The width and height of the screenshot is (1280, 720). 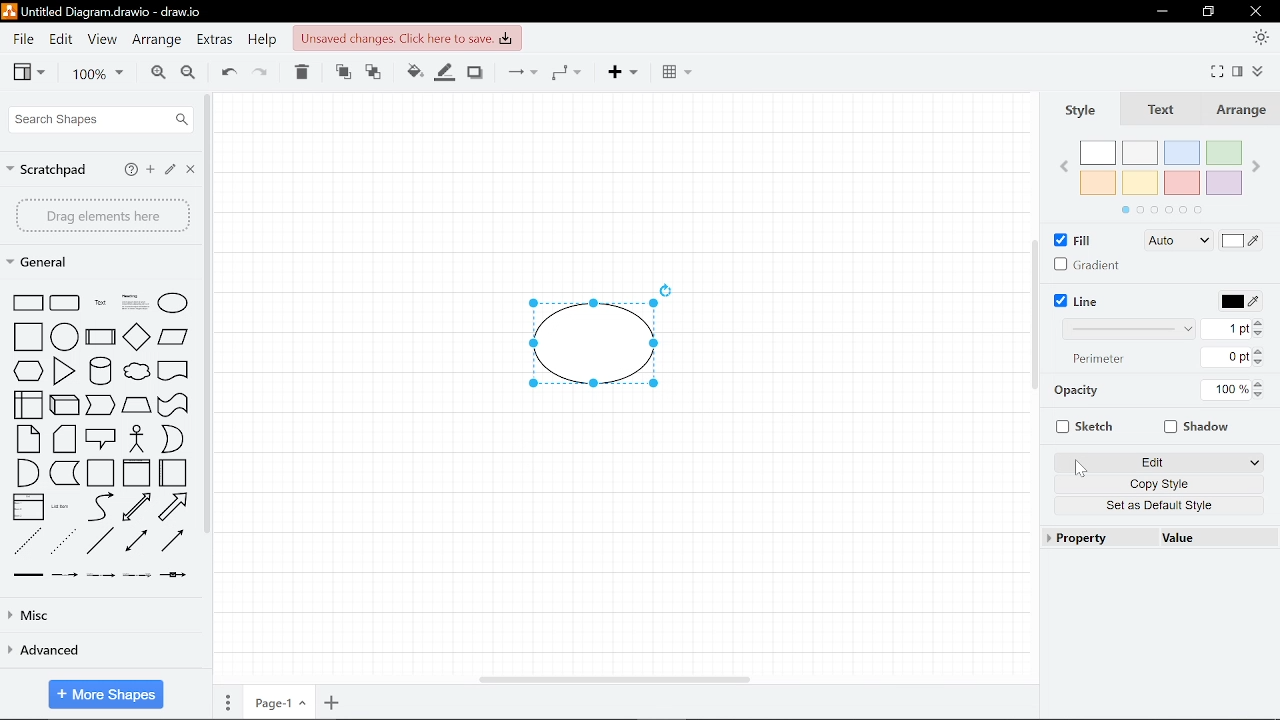 What do you see at coordinates (1093, 538) in the screenshot?
I see `Property` at bounding box center [1093, 538].